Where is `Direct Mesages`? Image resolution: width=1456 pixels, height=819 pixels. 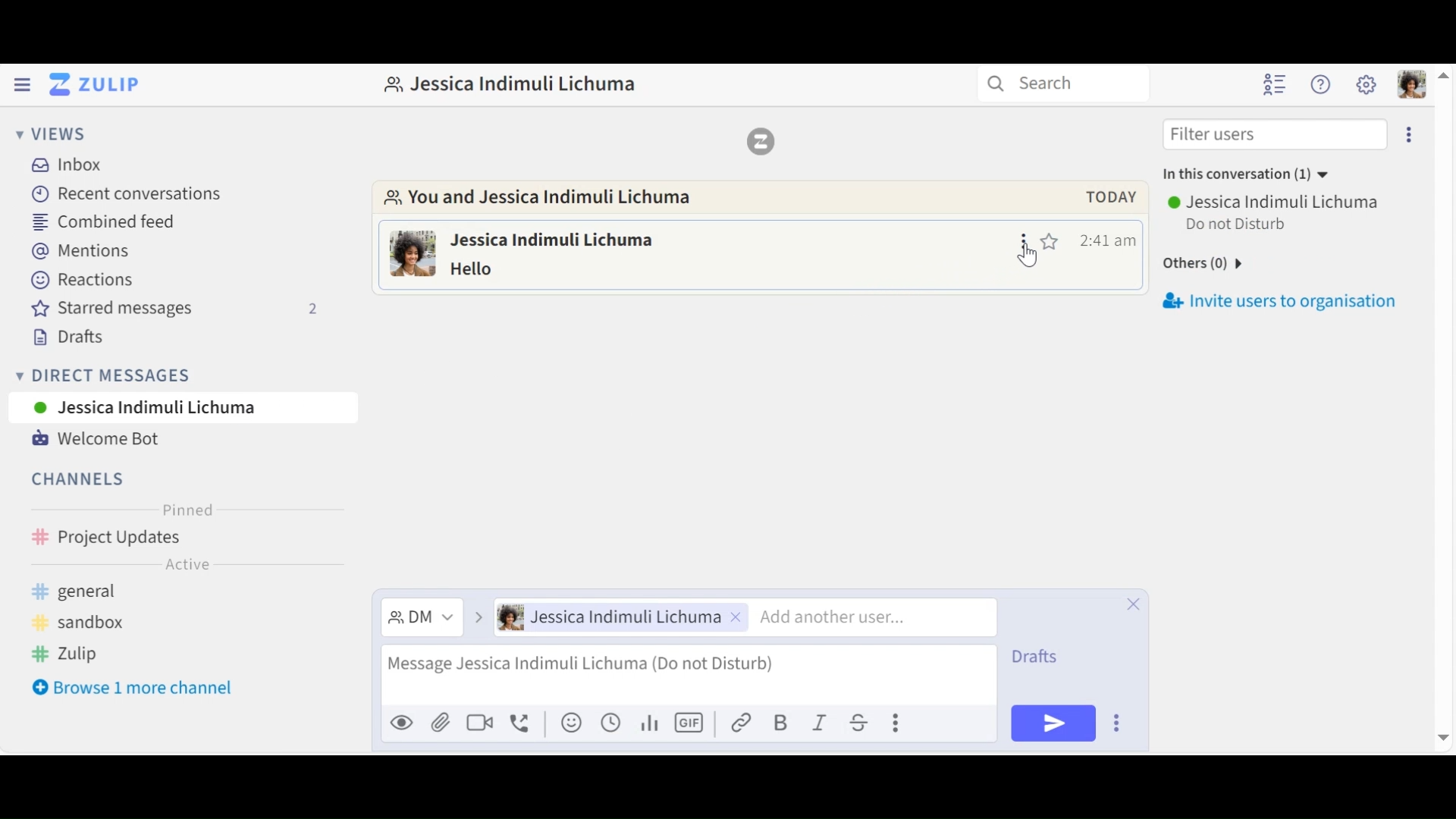
Direct Mesages is located at coordinates (171, 375).